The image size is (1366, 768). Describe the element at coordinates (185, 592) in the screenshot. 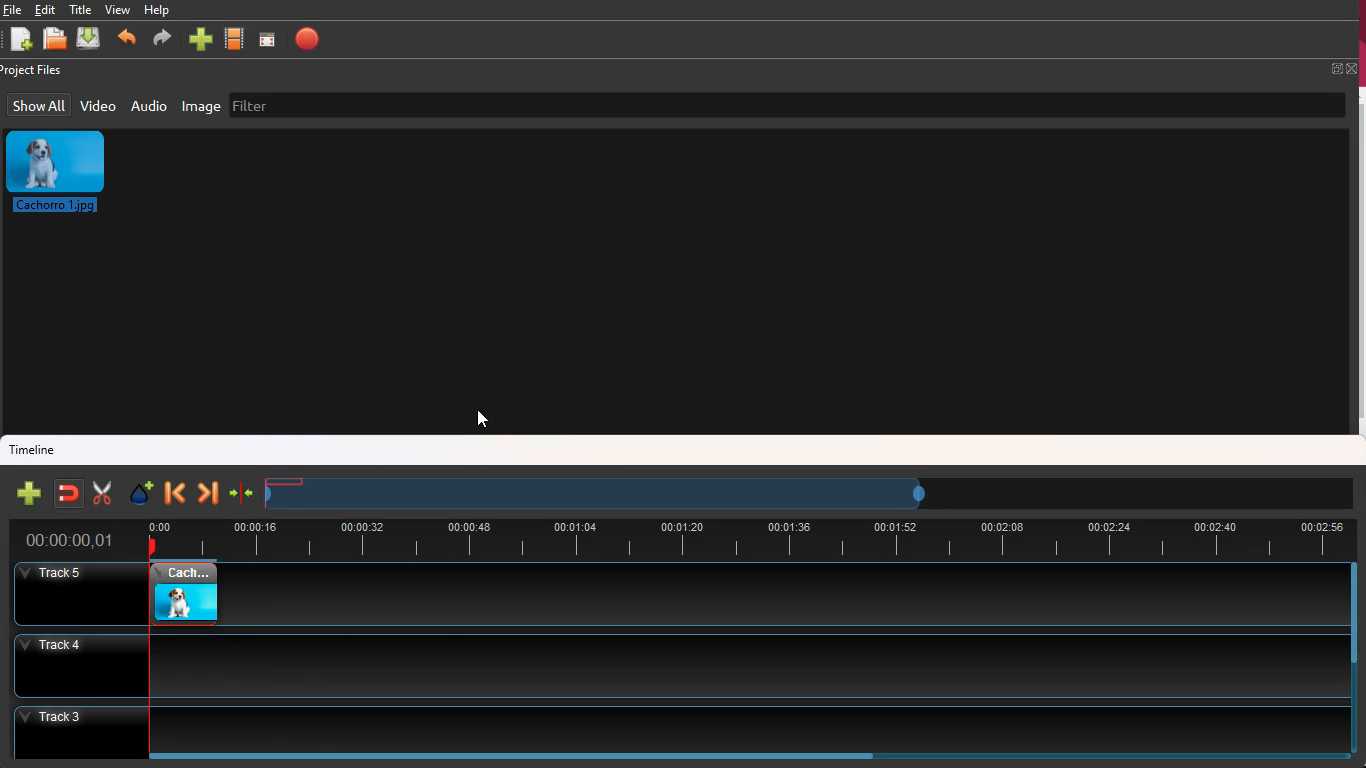

I see `` at that location.